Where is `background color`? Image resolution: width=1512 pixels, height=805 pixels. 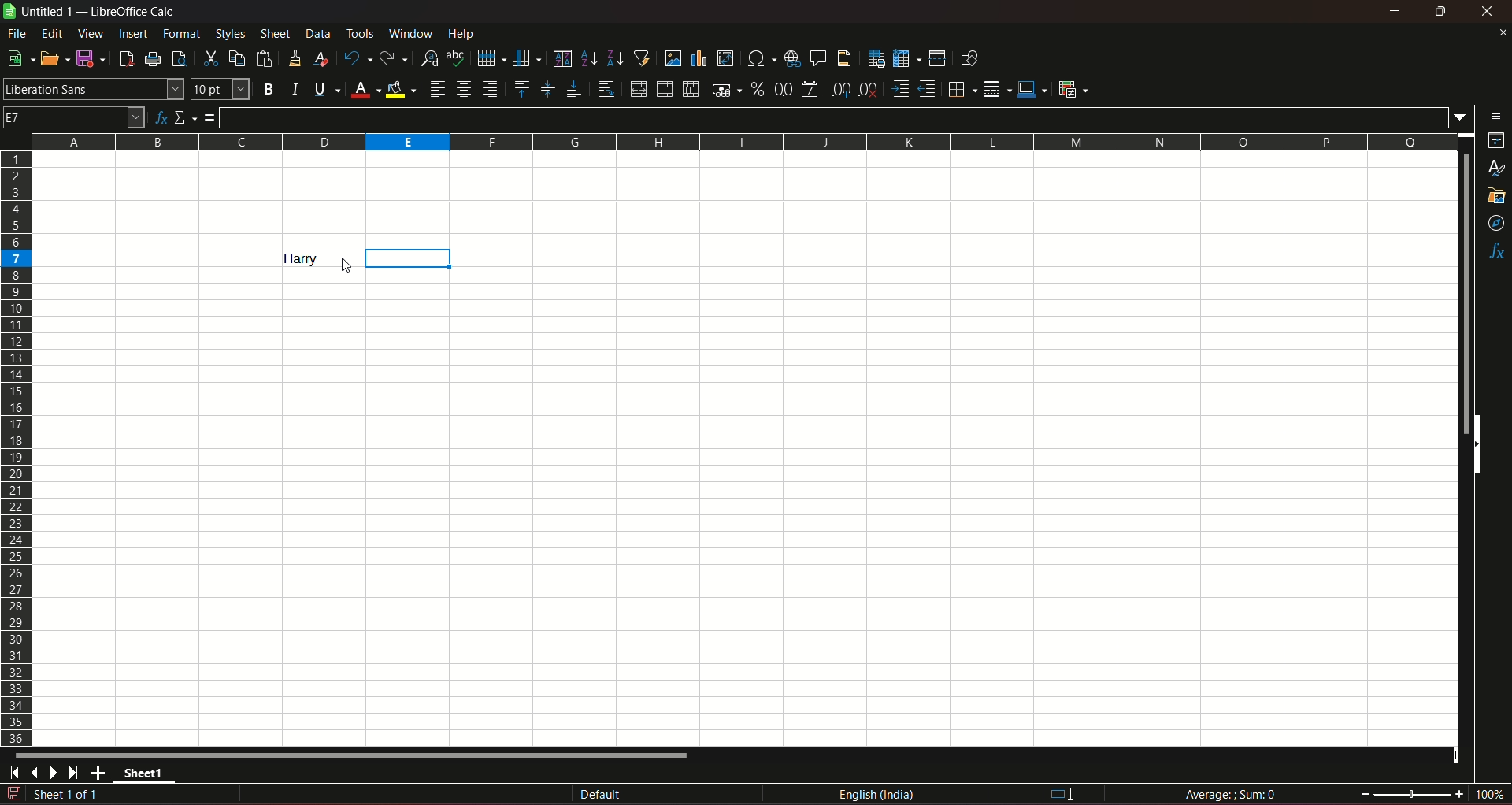 background color is located at coordinates (402, 89).